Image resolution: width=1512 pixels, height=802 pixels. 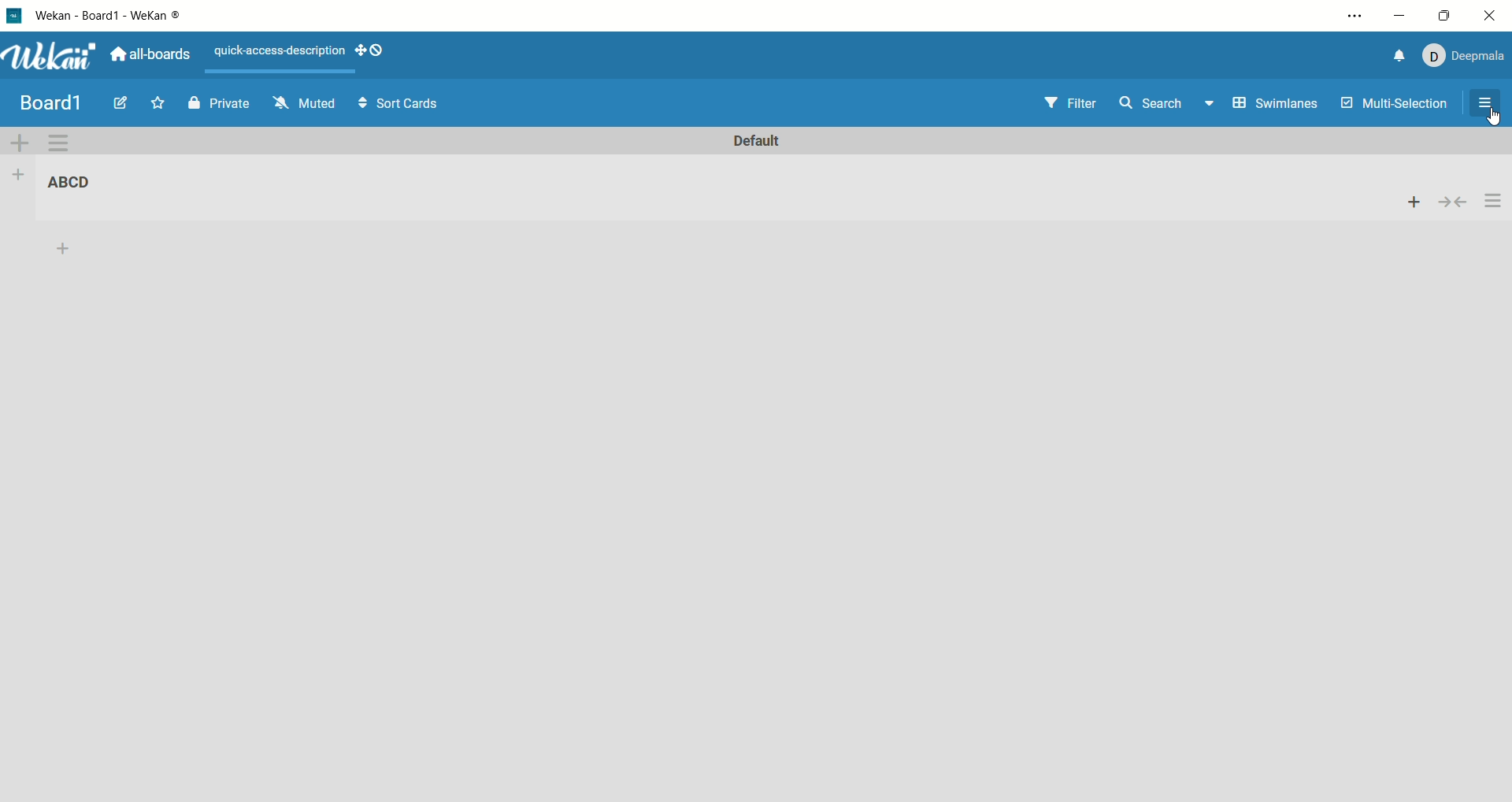 What do you see at coordinates (1401, 56) in the screenshot?
I see `notification` at bounding box center [1401, 56].